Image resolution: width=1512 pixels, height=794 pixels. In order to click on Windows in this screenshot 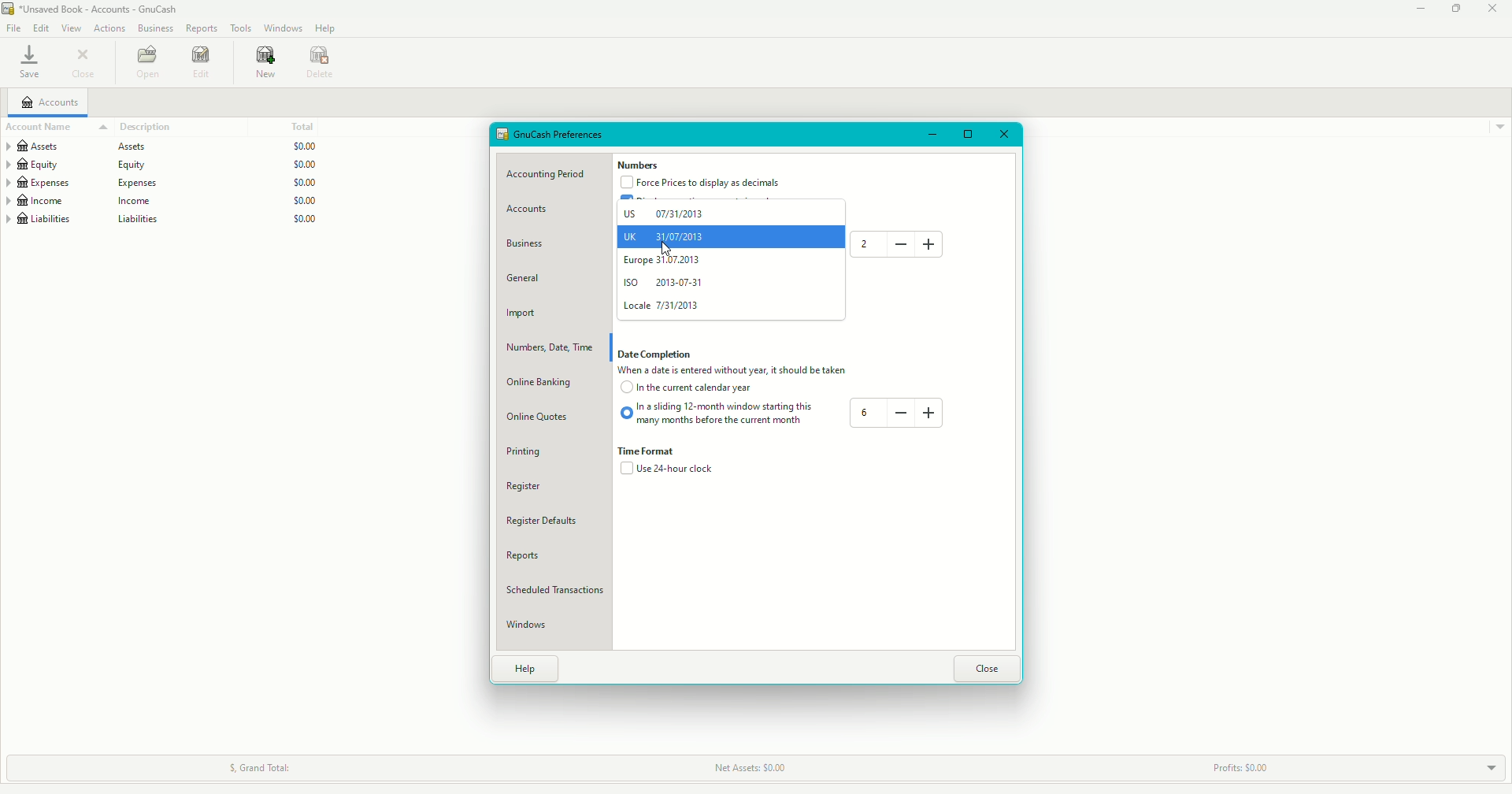, I will do `click(282, 28)`.